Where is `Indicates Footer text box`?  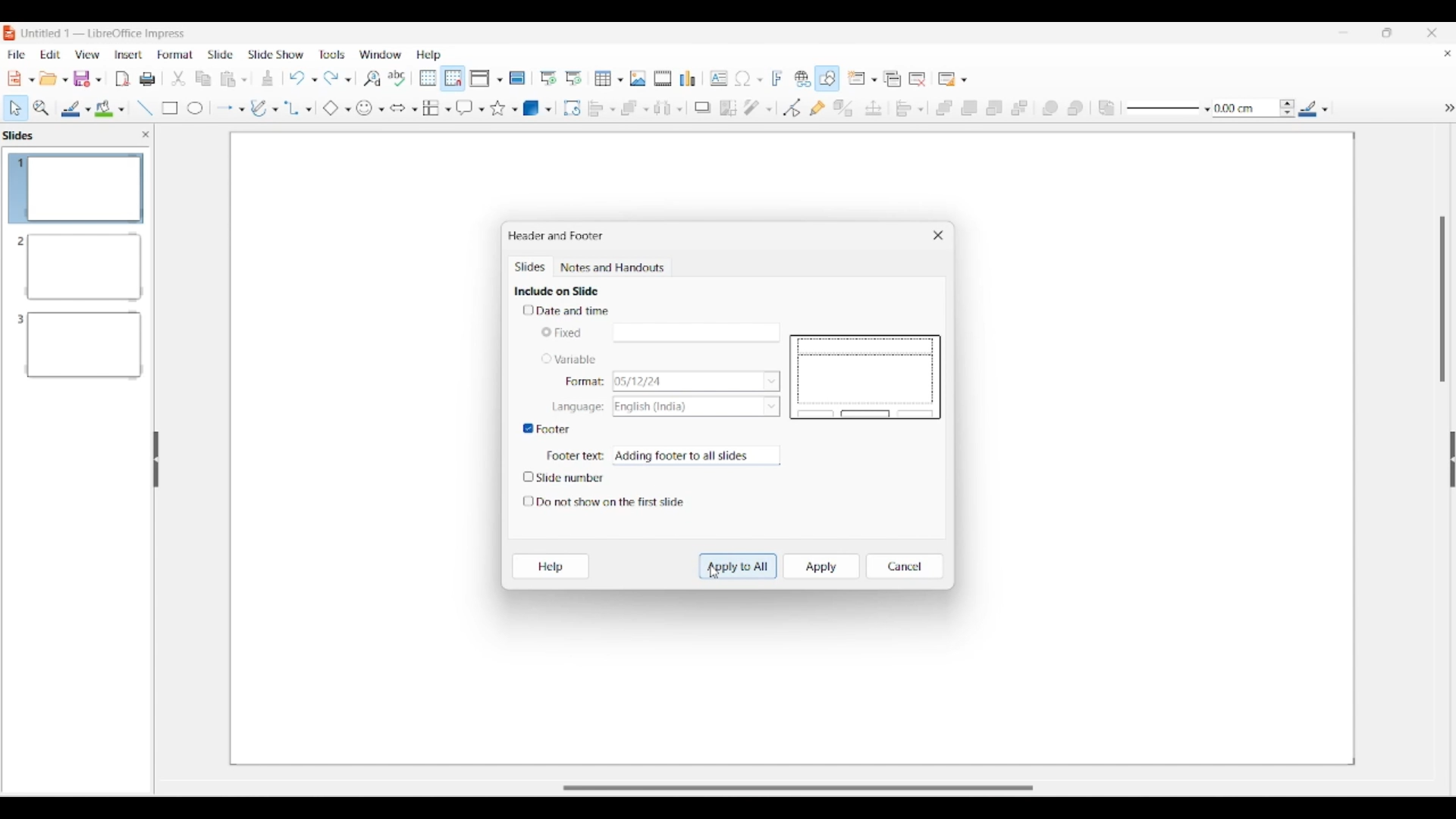
Indicates Footer text box is located at coordinates (575, 457).